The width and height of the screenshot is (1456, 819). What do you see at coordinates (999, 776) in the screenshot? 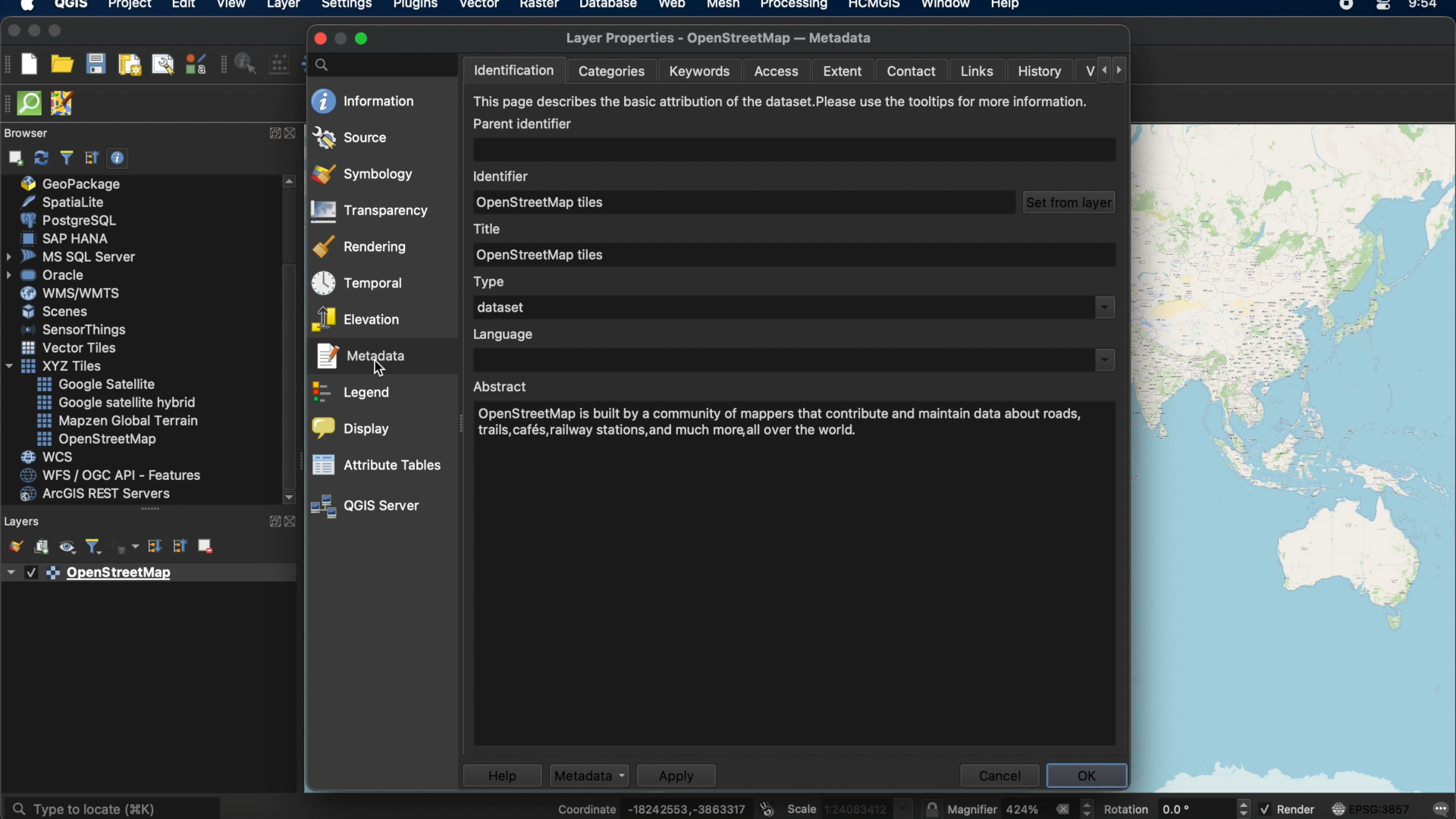
I see `cancel` at bounding box center [999, 776].